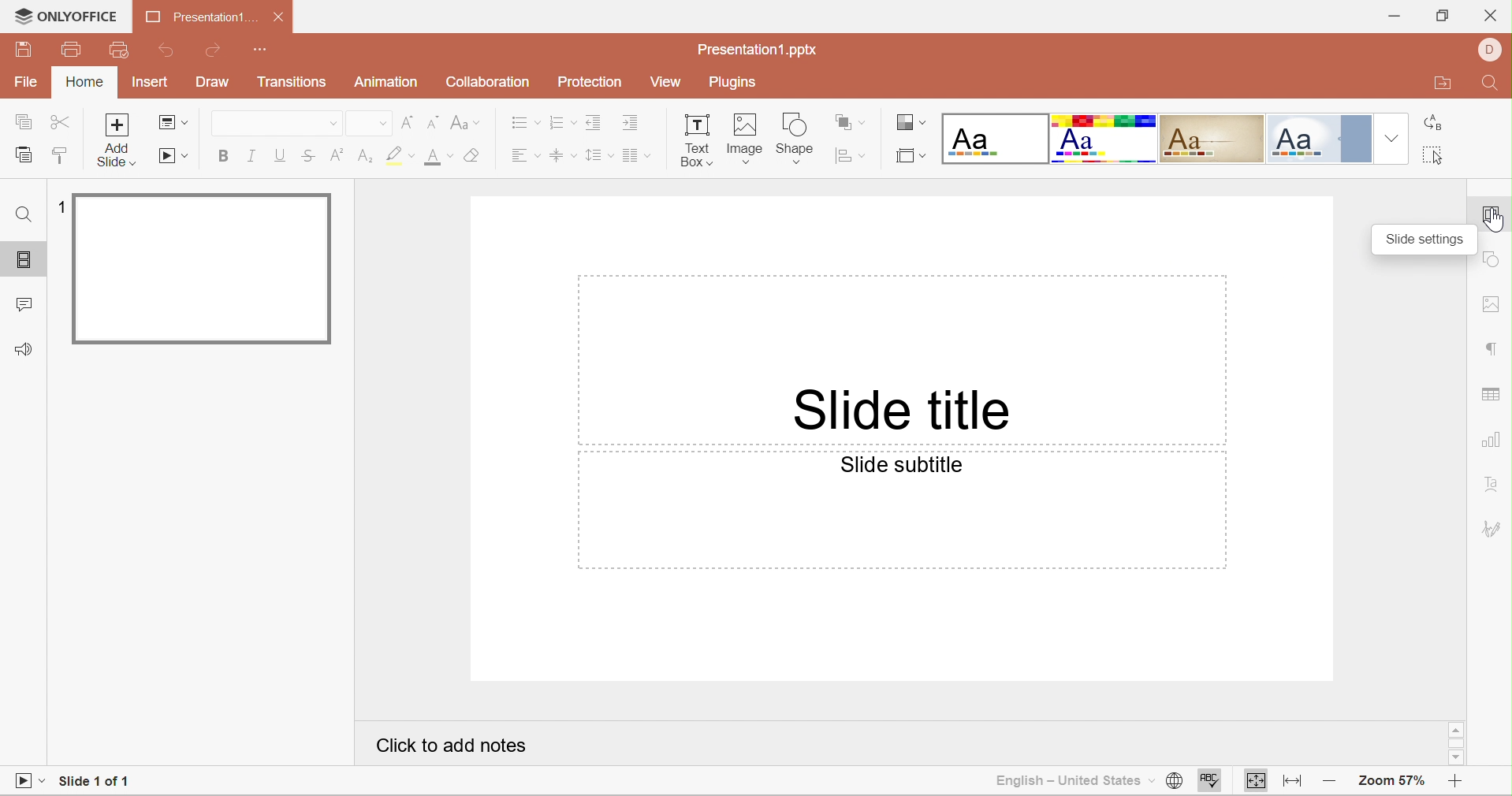 The image size is (1512, 796). Describe the element at coordinates (1490, 348) in the screenshot. I see `paragraph settings` at that location.